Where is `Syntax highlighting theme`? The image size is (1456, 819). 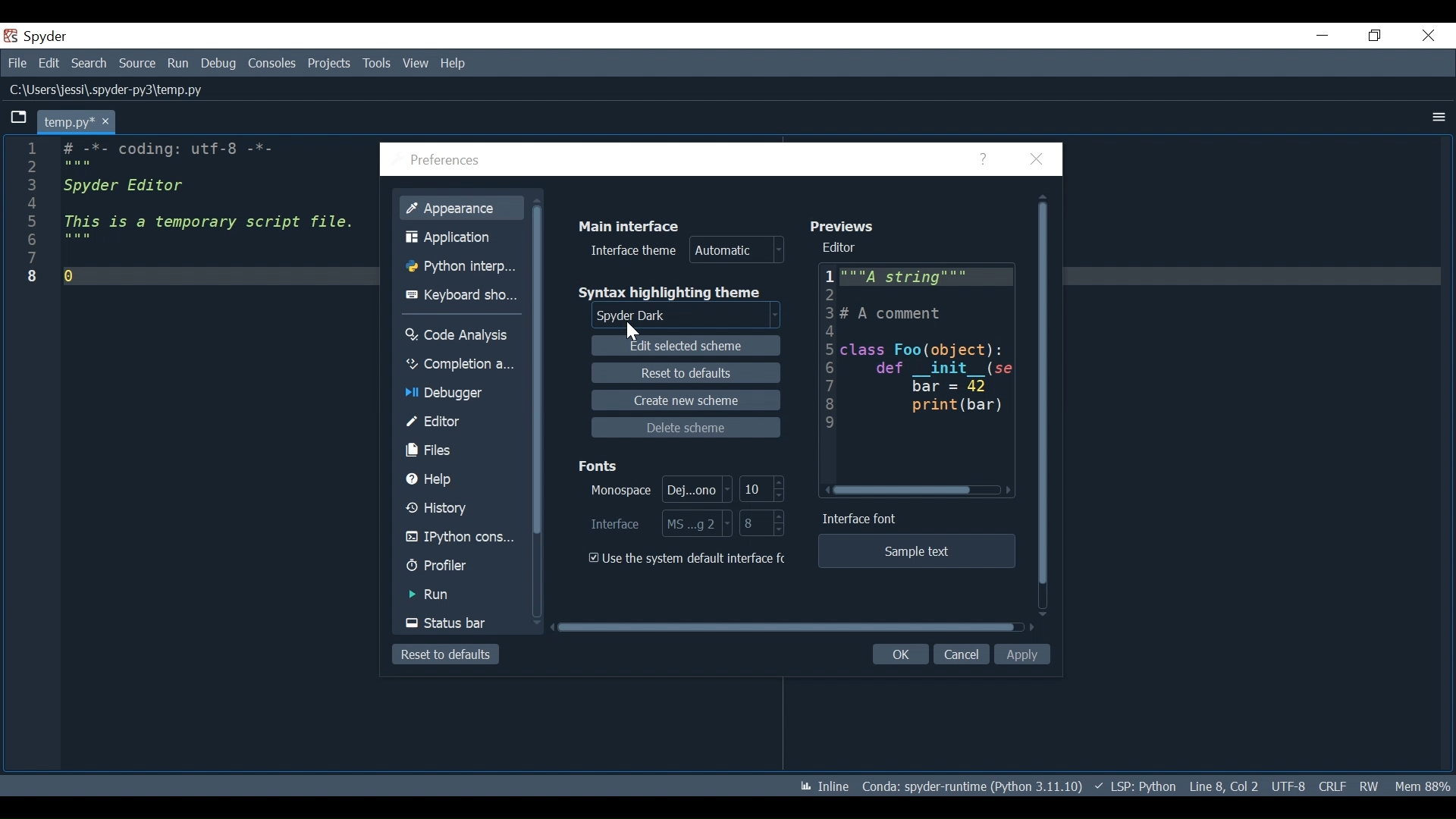
Syntax highlighting theme is located at coordinates (676, 293).